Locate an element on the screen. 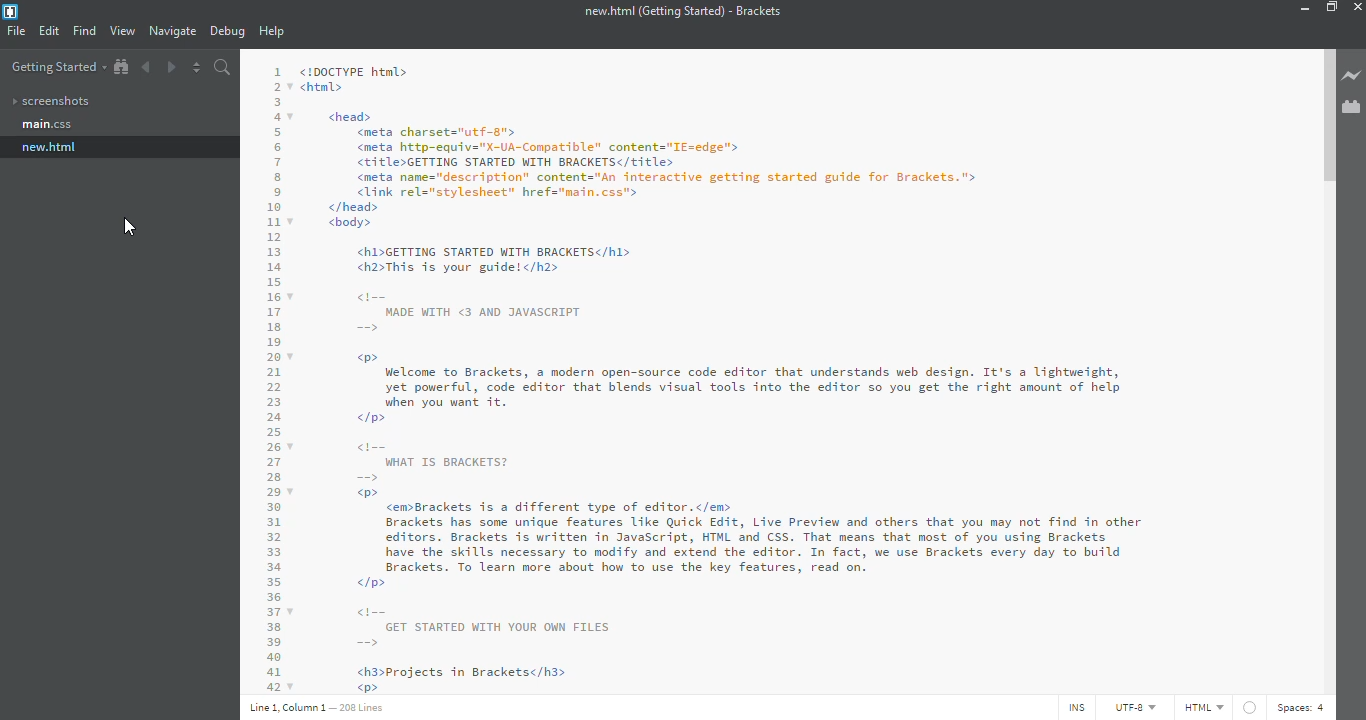 The width and height of the screenshot is (1366, 720). html is located at coordinates (1203, 707).